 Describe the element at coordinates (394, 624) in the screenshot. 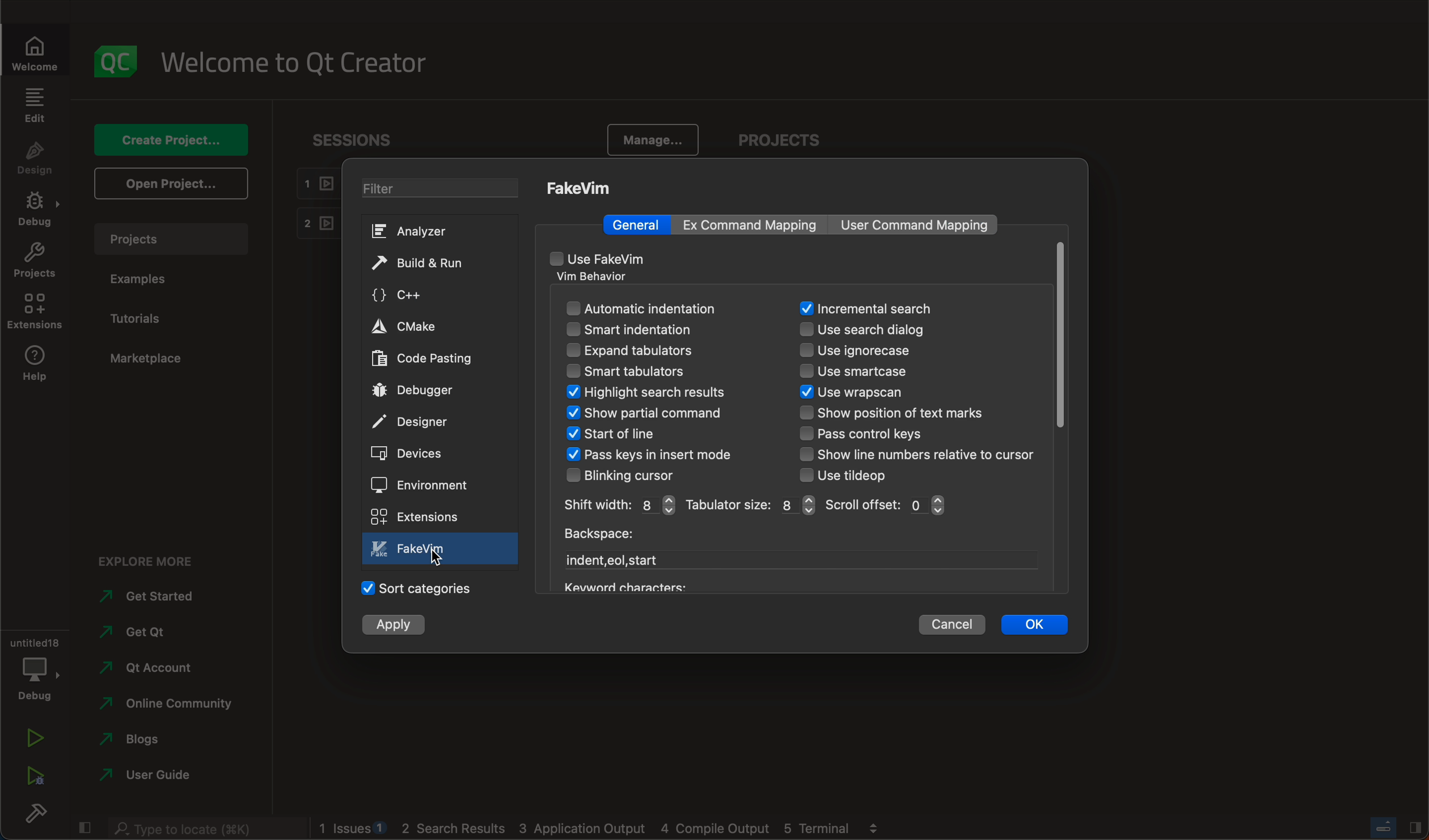

I see `apply` at that location.